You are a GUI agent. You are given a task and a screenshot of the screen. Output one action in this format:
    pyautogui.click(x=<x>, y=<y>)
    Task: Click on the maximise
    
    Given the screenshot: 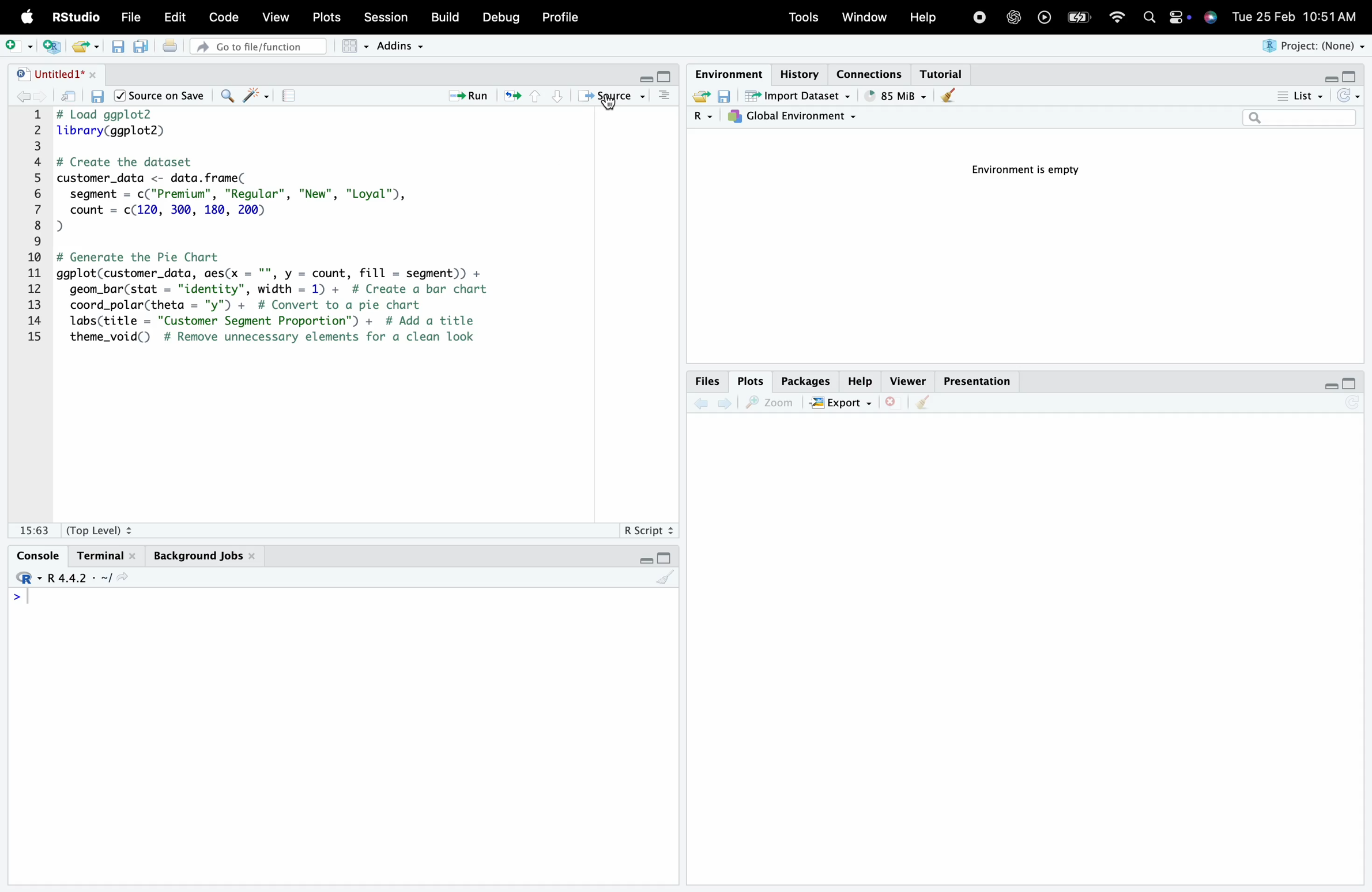 What is the action you would take?
    pyautogui.click(x=1352, y=78)
    